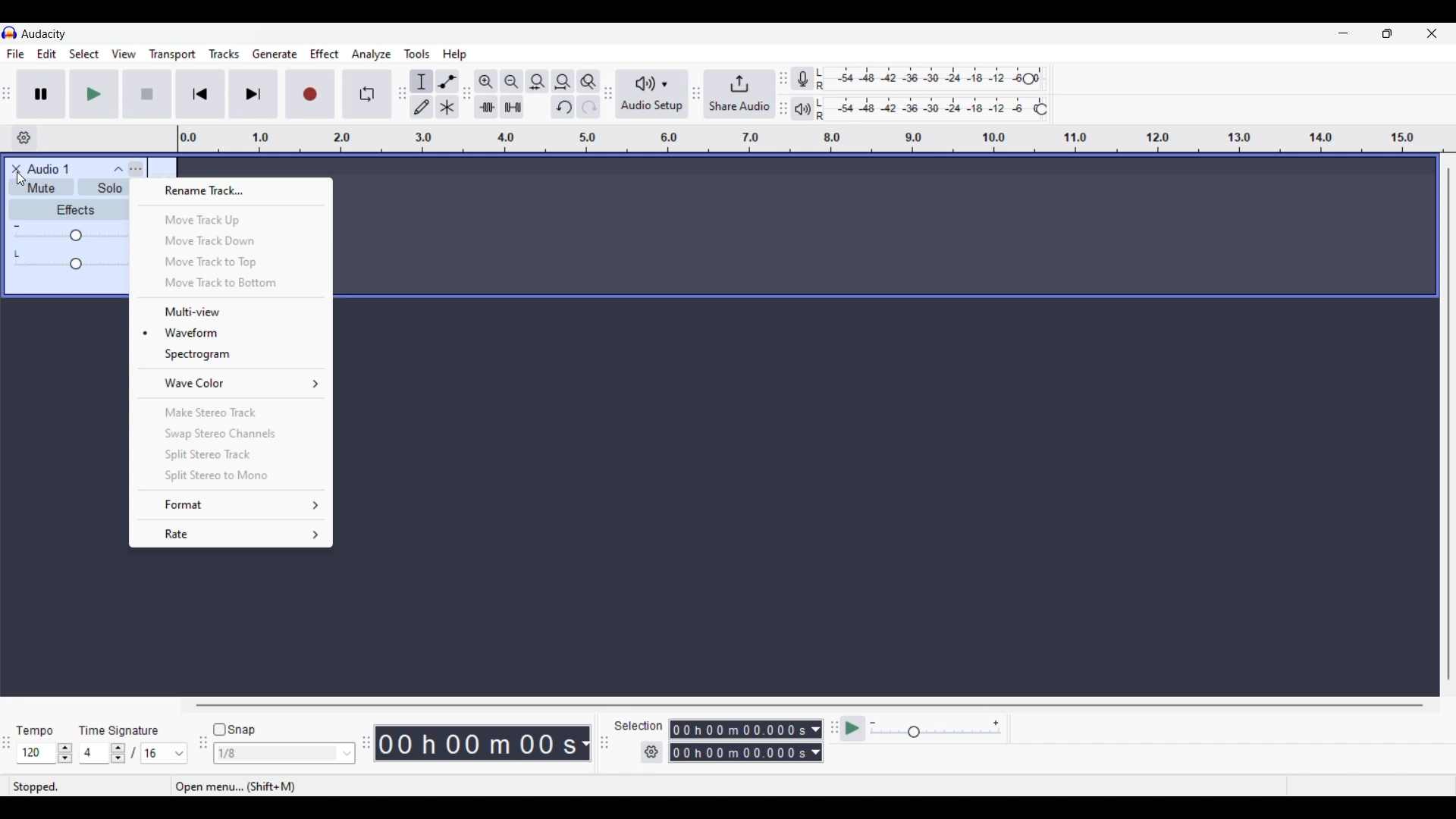 Image resolution: width=1456 pixels, height=819 pixels. What do you see at coordinates (810, 705) in the screenshot?
I see `Horizontal slide bar` at bounding box center [810, 705].